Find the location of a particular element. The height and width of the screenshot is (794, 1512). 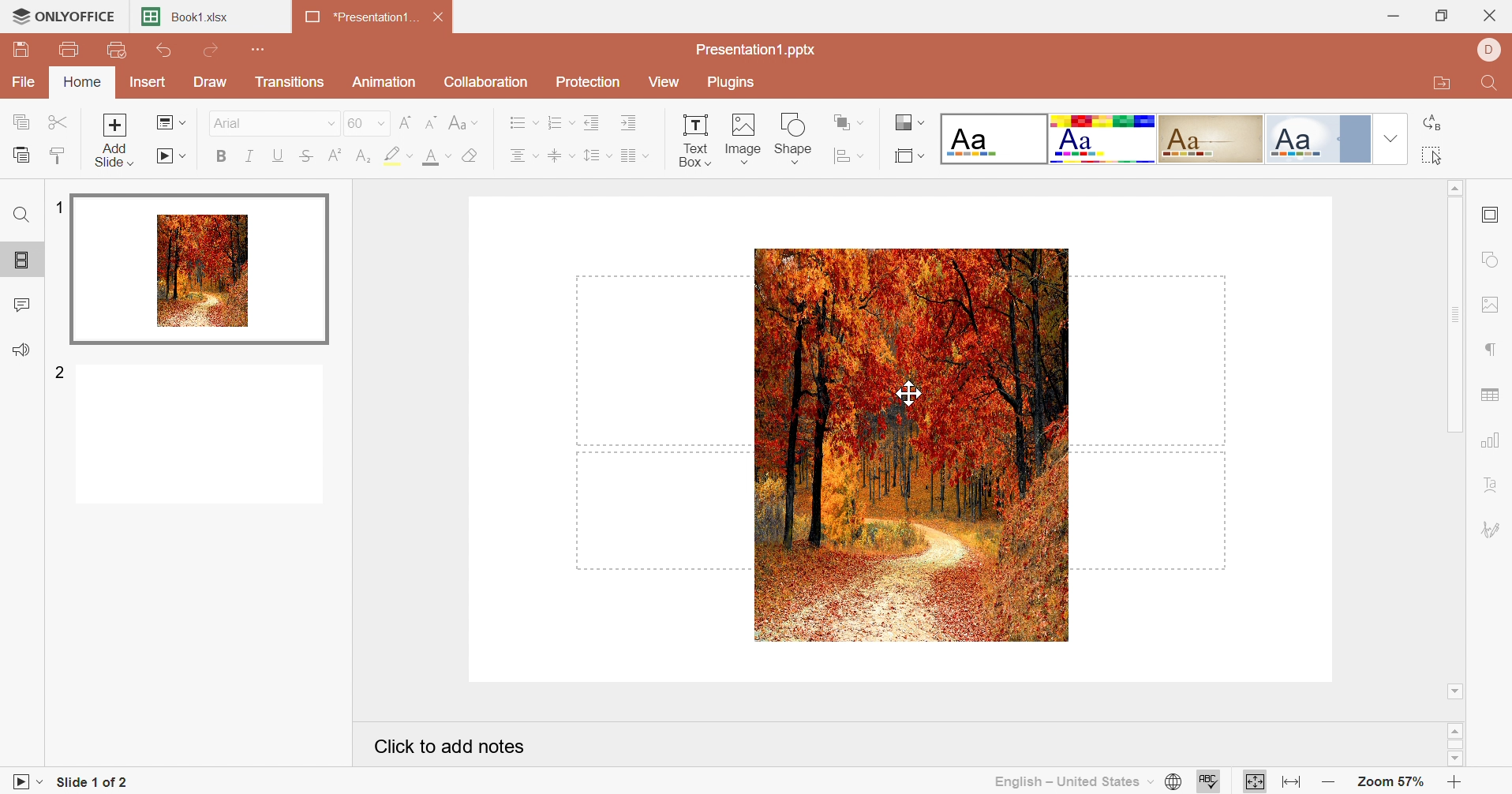

Start slideshow is located at coordinates (174, 156).